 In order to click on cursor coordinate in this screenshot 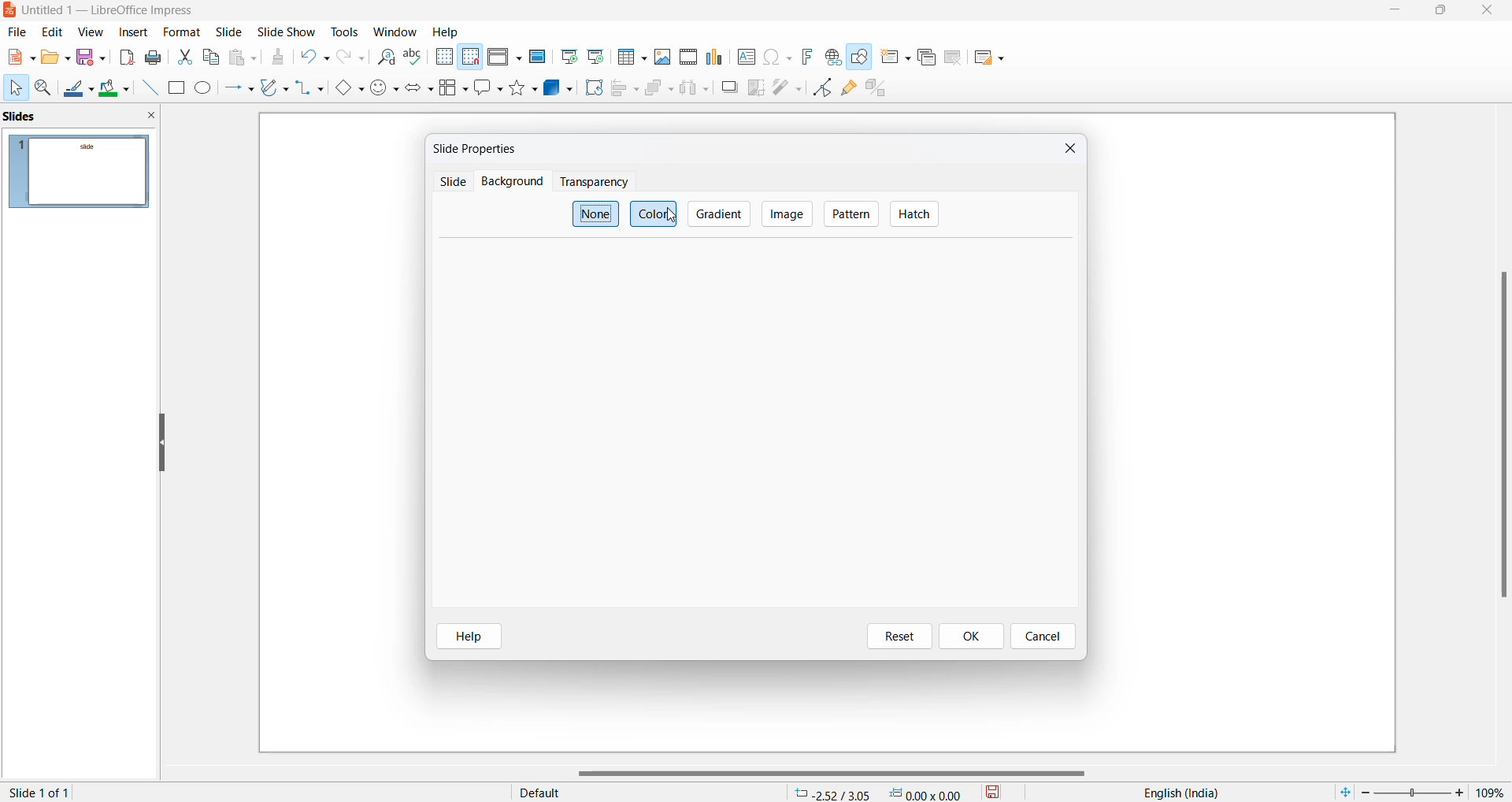, I will do `click(883, 790)`.